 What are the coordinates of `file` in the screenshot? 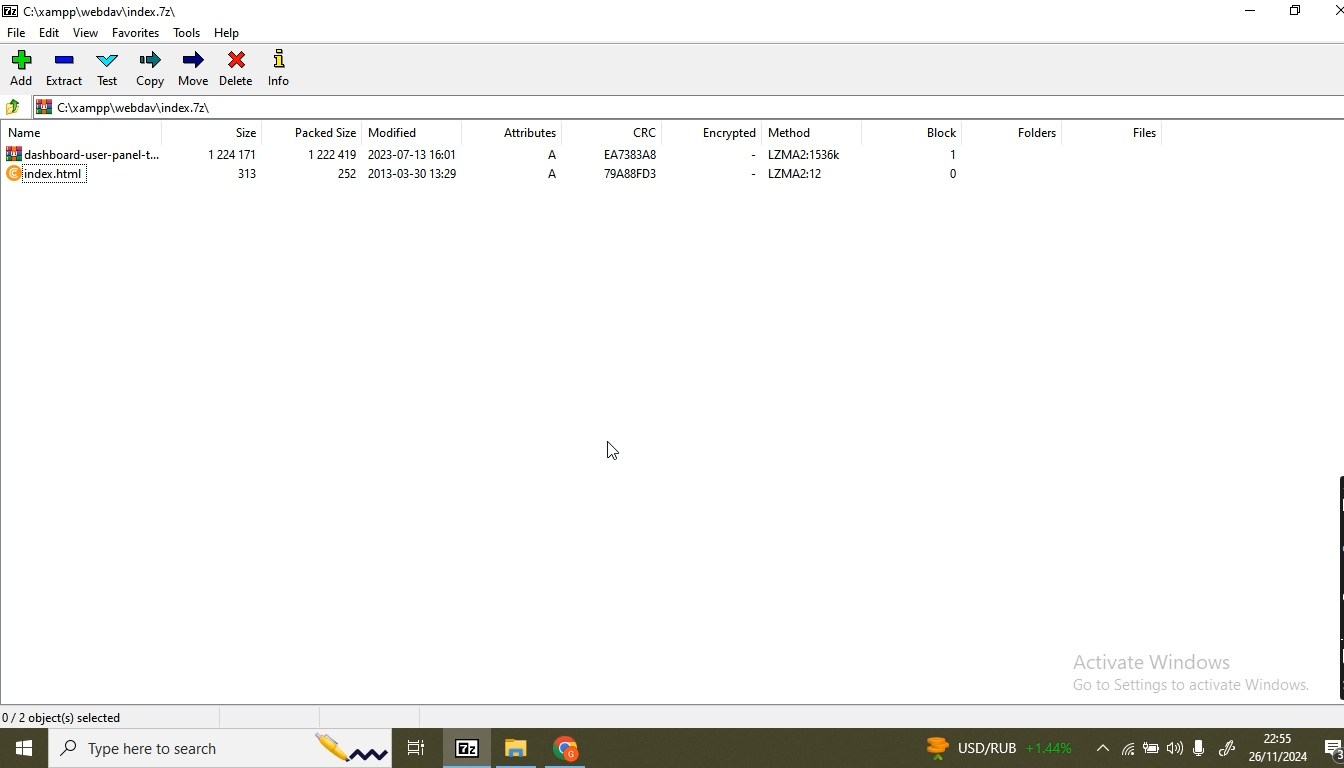 It's located at (20, 33).